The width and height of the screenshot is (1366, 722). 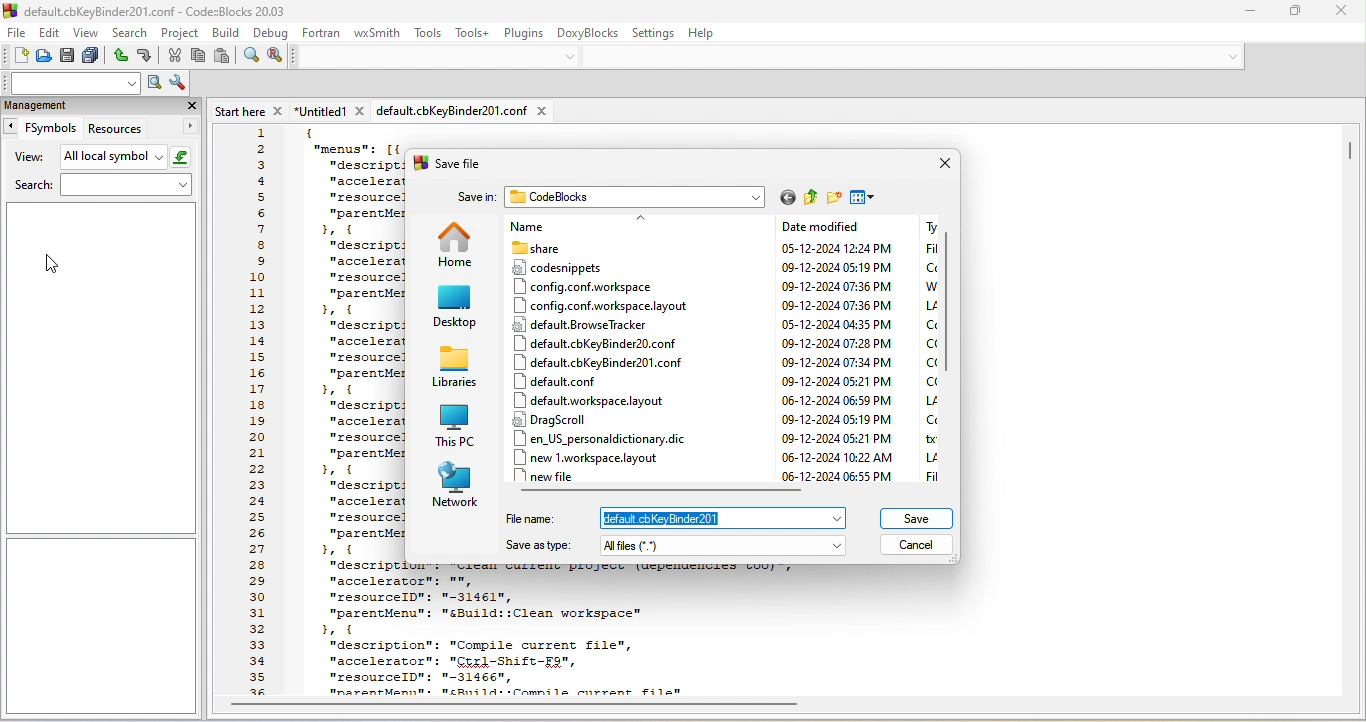 I want to click on search, so click(x=100, y=185).